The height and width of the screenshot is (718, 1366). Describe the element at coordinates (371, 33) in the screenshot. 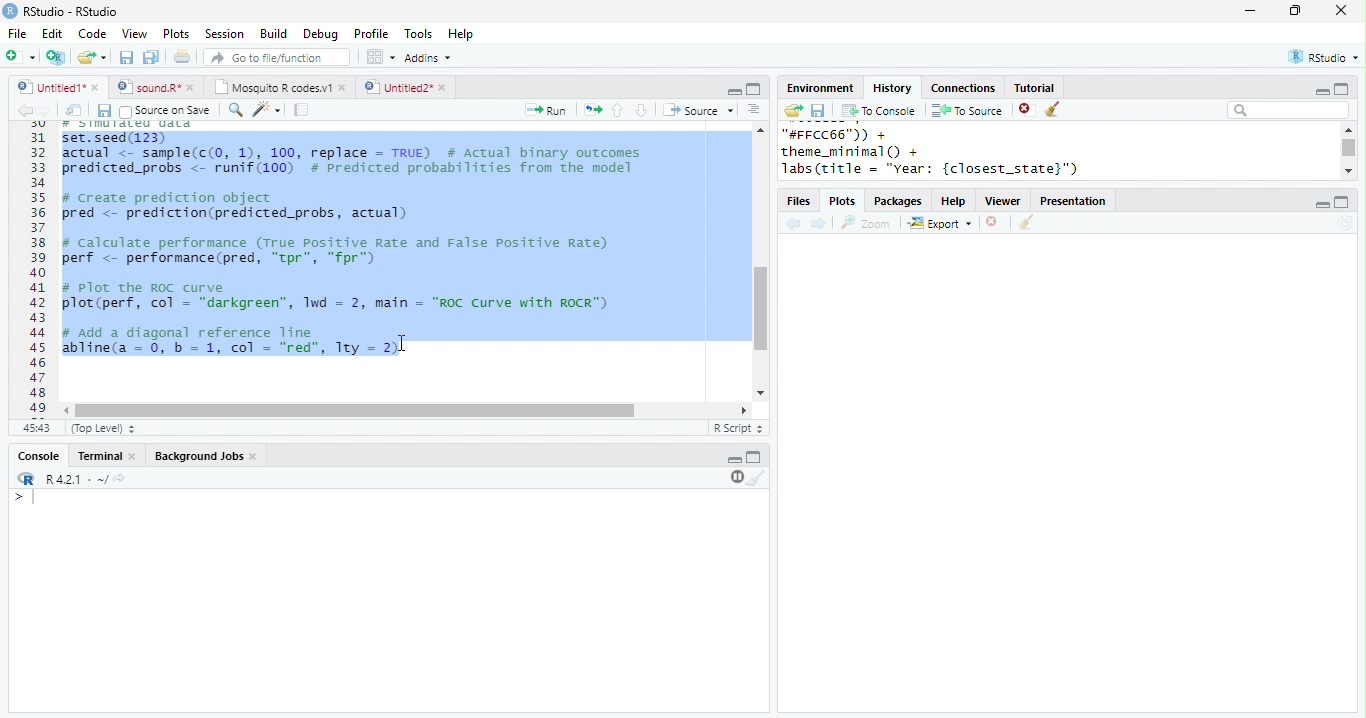

I see `Profile` at that location.